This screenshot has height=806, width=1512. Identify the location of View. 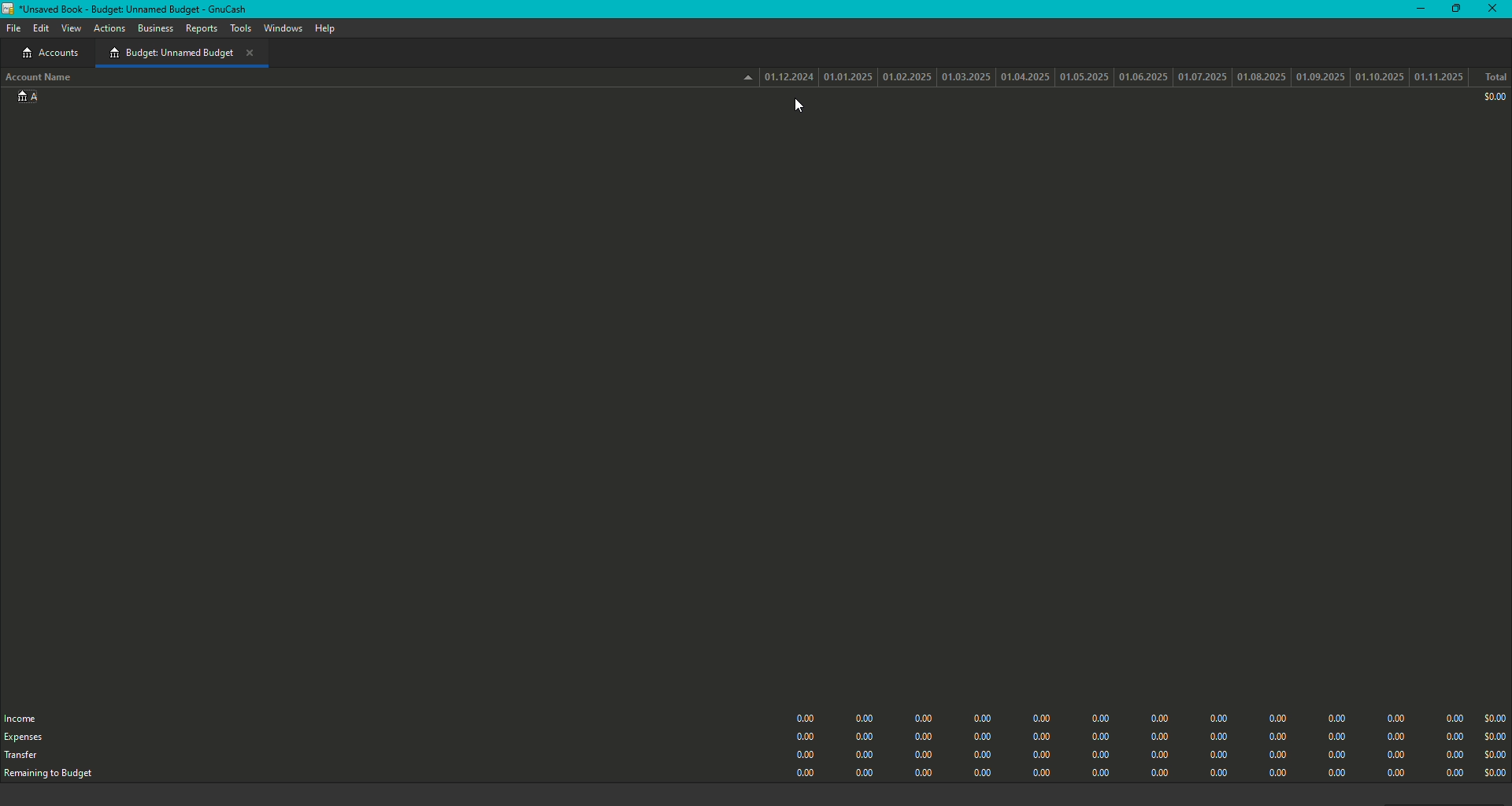
(72, 29).